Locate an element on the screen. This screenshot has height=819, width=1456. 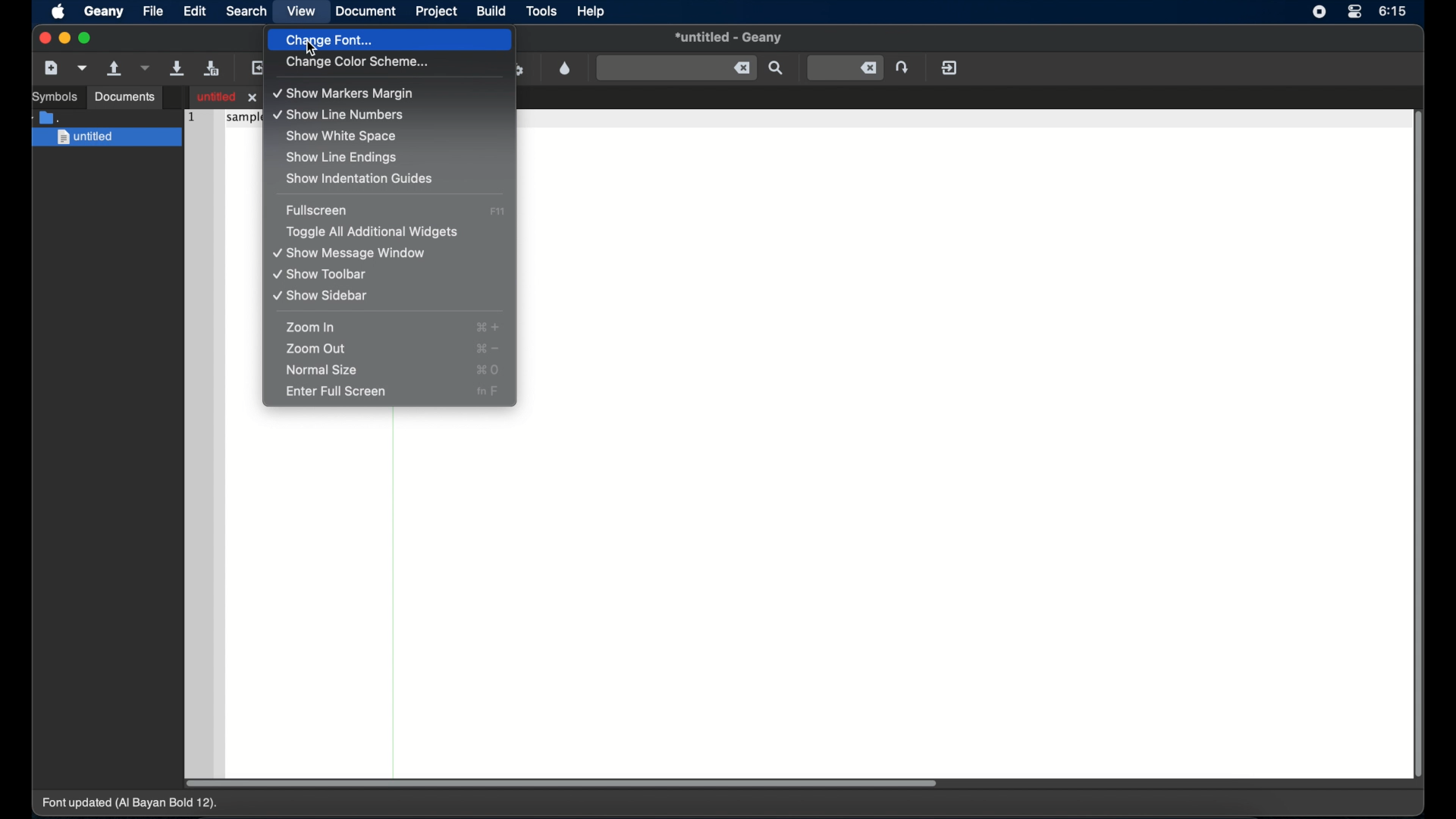
untitled is located at coordinates (729, 39).